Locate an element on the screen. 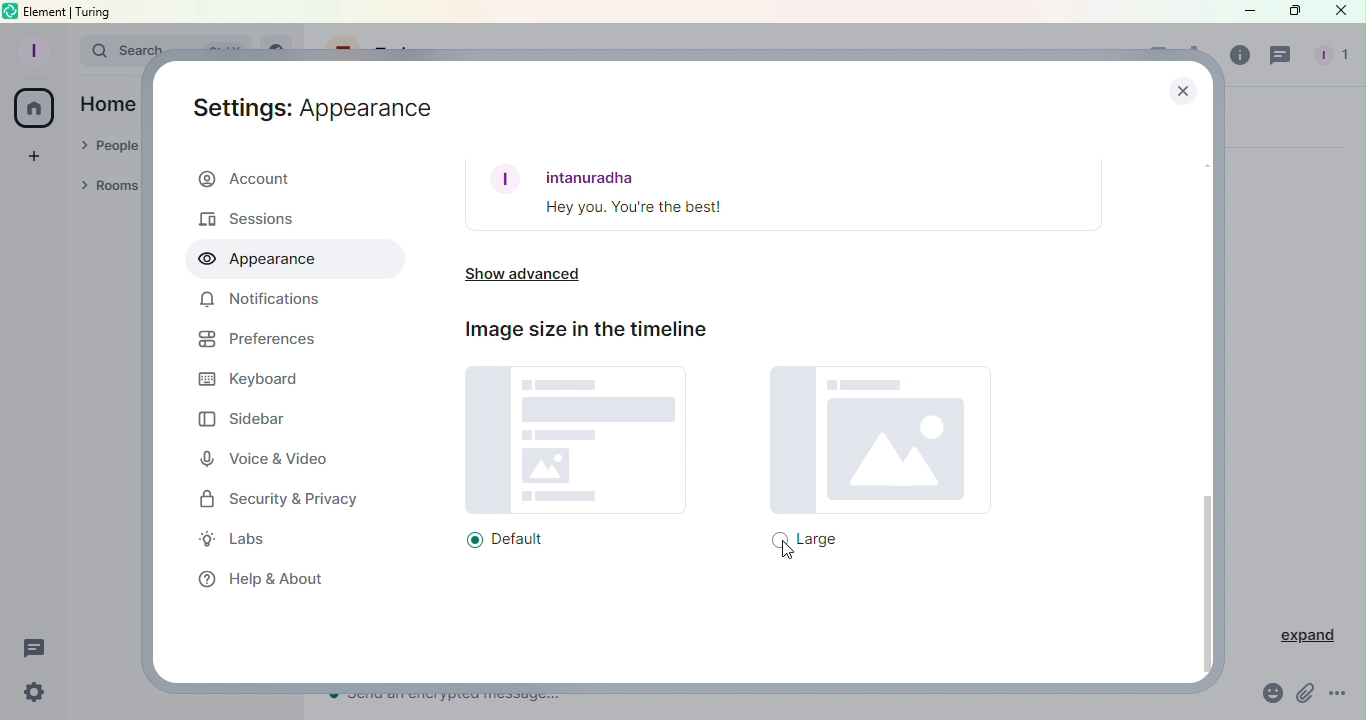 The width and height of the screenshot is (1366, 720). Show advanced is located at coordinates (531, 270).